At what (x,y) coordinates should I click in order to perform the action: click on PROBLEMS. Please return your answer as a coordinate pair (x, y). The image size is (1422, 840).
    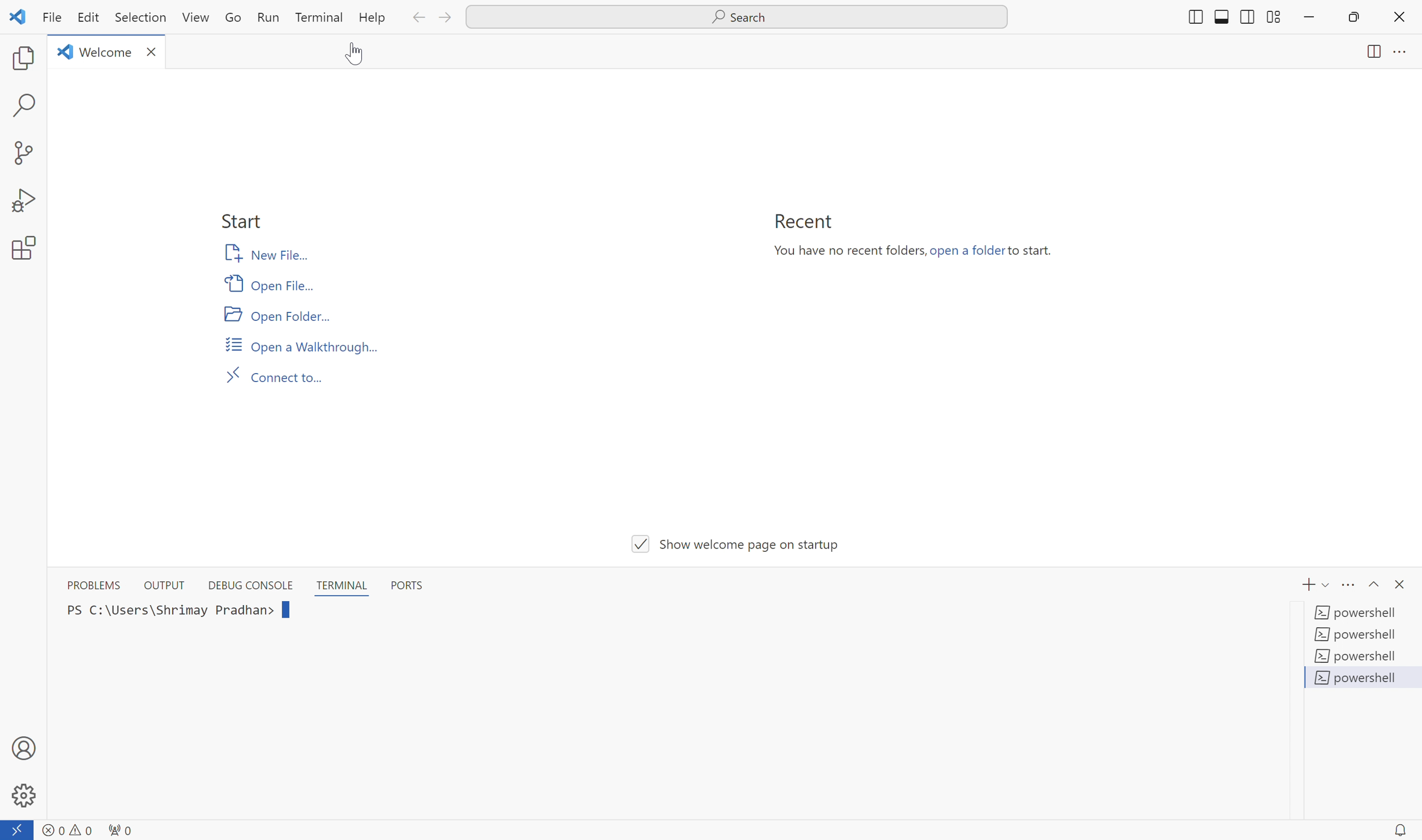
    Looking at the image, I should click on (94, 582).